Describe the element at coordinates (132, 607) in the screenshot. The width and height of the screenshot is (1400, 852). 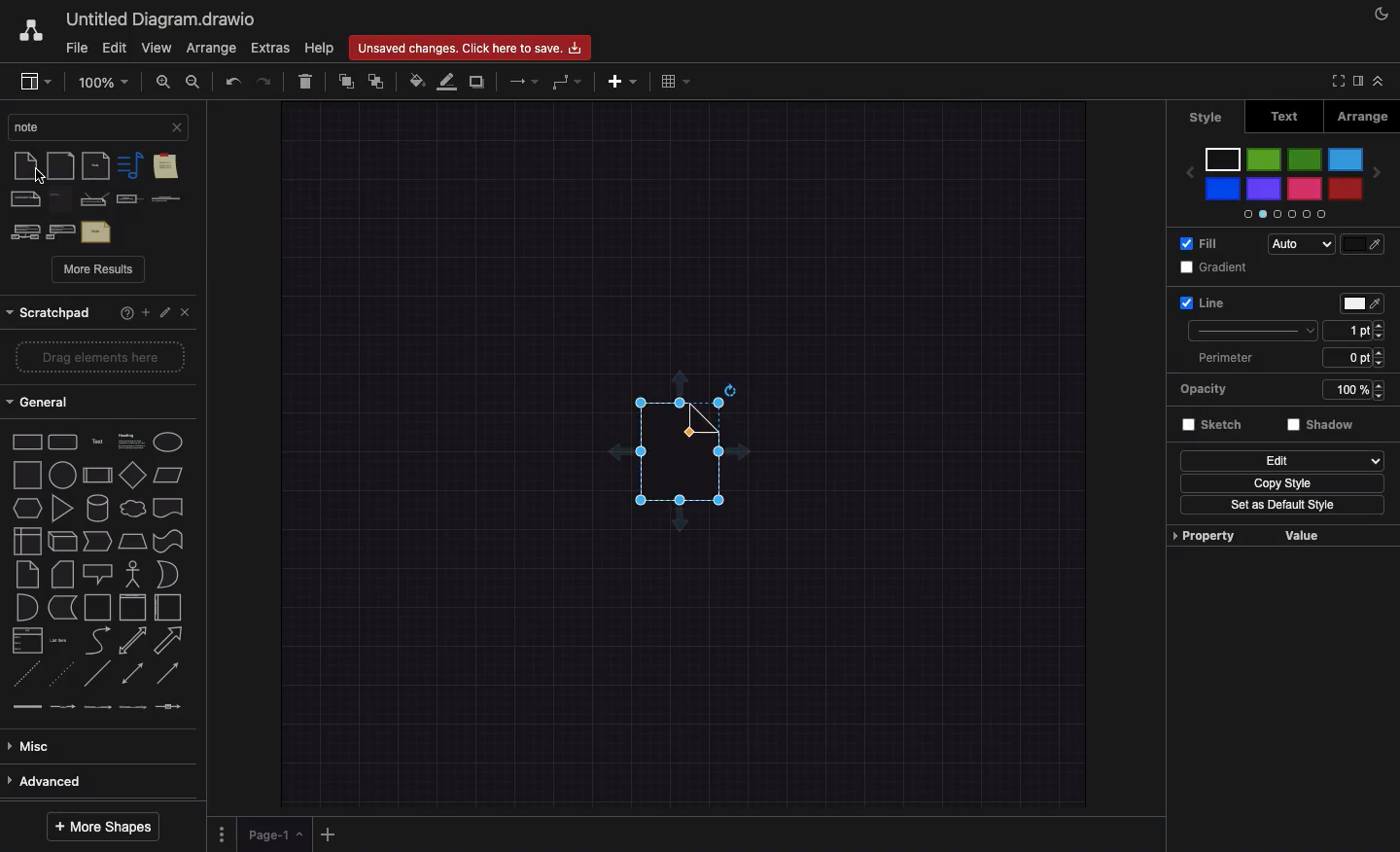
I see `vertical container` at that location.